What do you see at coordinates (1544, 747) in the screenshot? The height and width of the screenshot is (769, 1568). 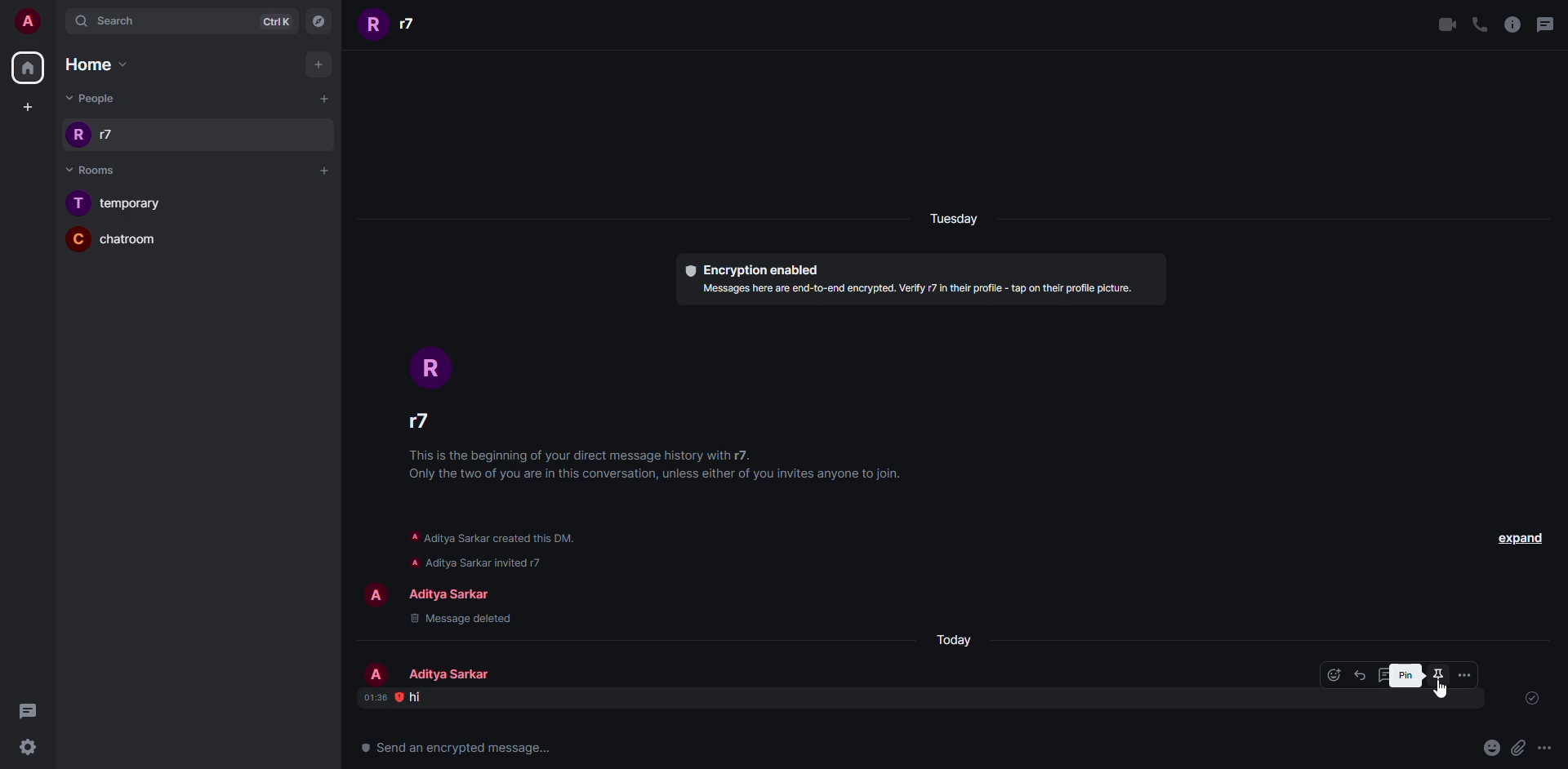 I see `` at bounding box center [1544, 747].